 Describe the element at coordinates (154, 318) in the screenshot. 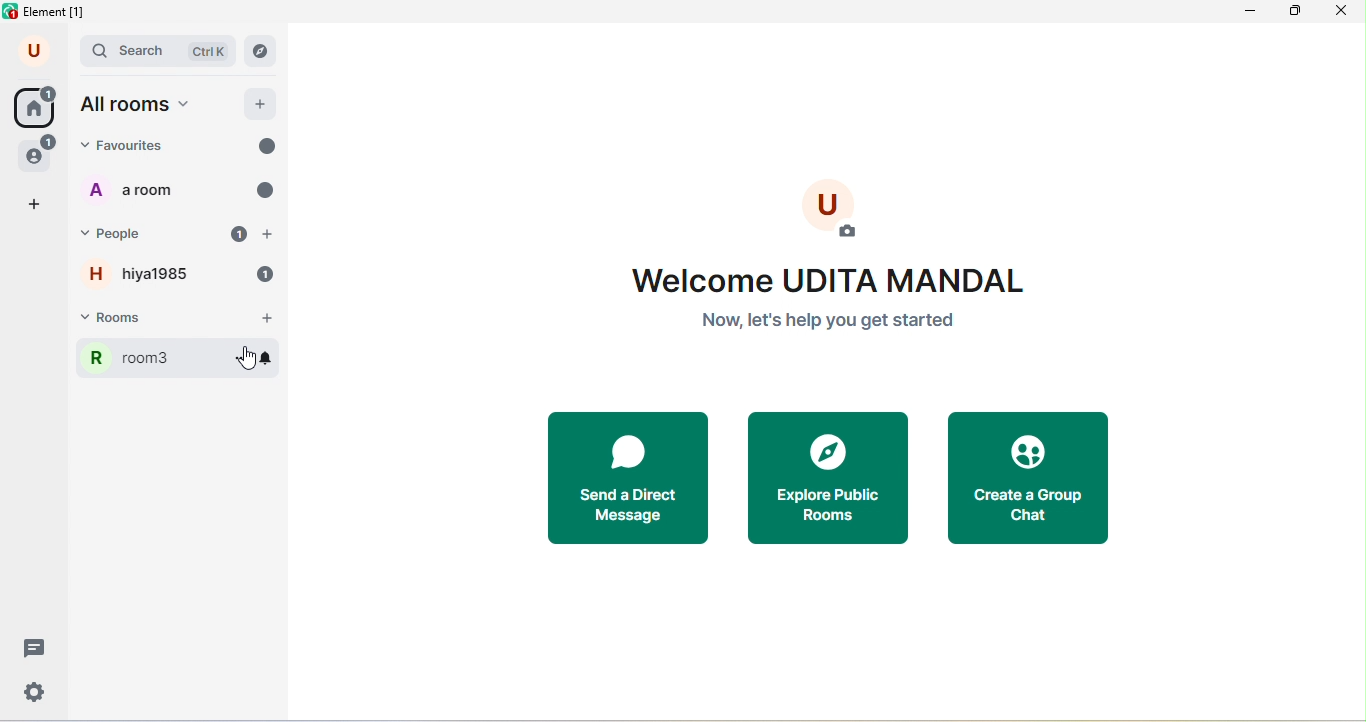

I see `rooms` at that location.